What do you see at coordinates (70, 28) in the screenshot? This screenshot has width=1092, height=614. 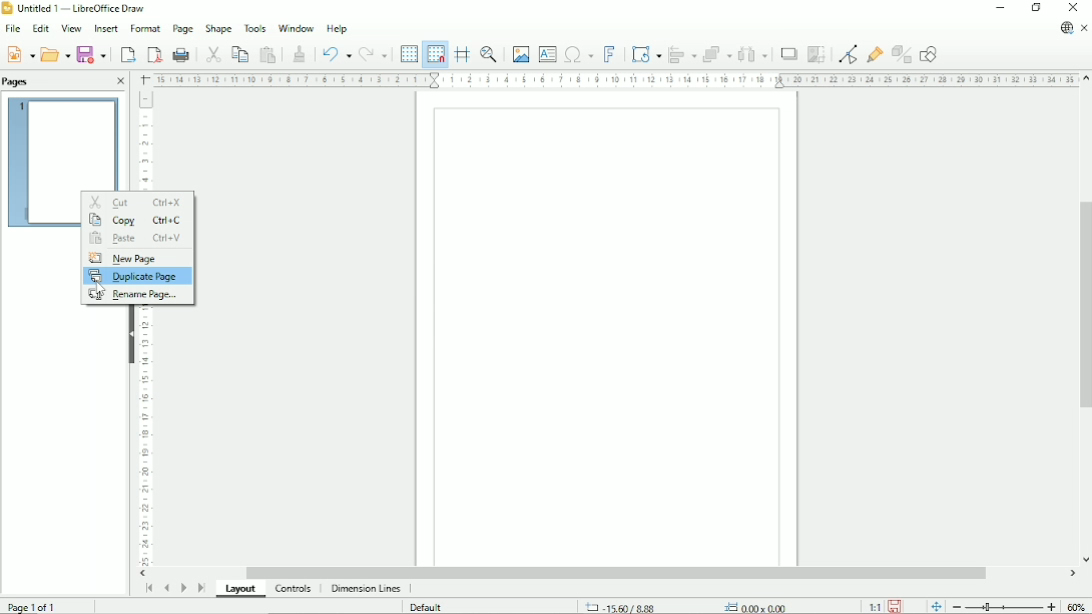 I see `View` at bounding box center [70, 28].